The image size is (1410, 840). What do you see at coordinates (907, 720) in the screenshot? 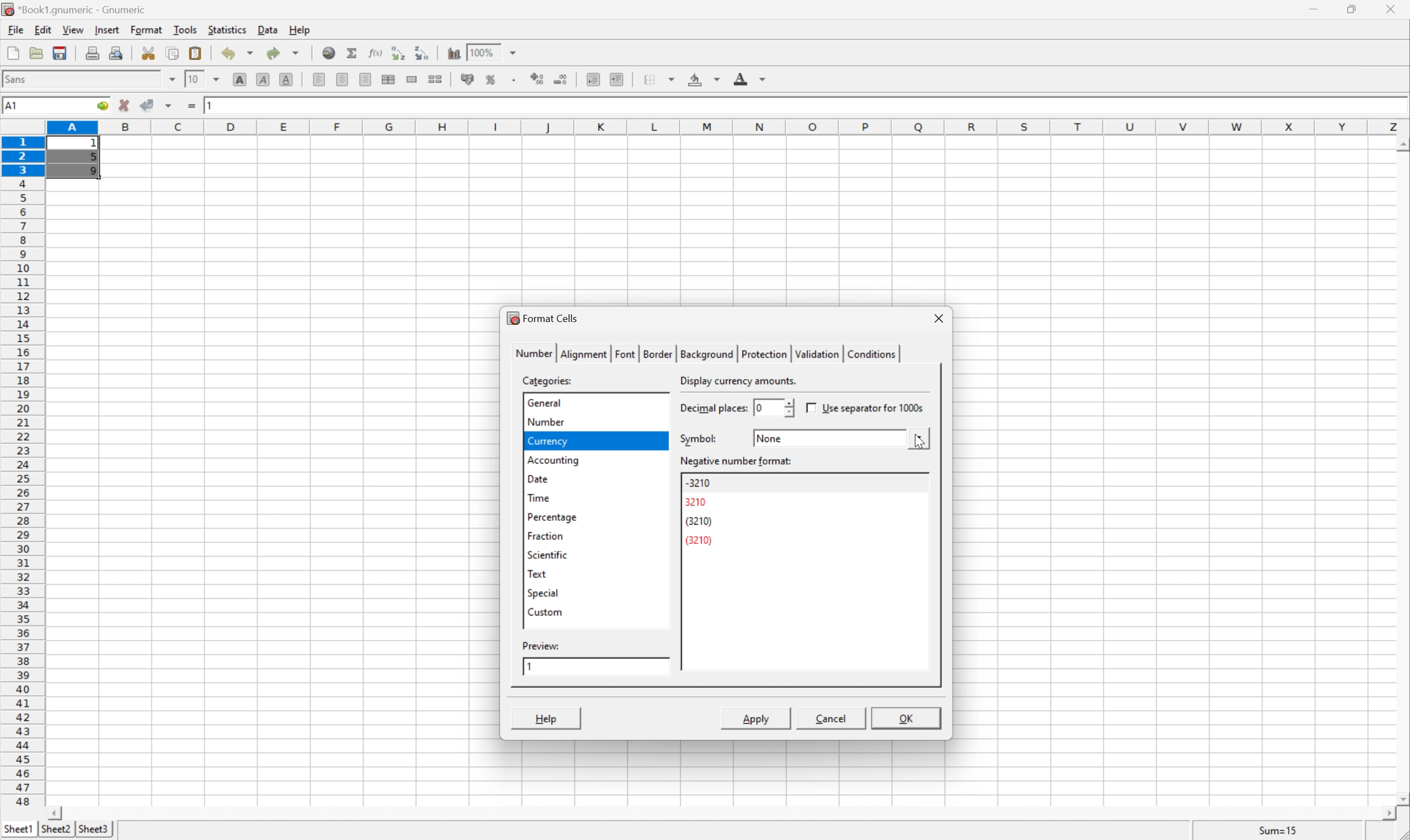
I see `OK` at bounding box center [907, 720].